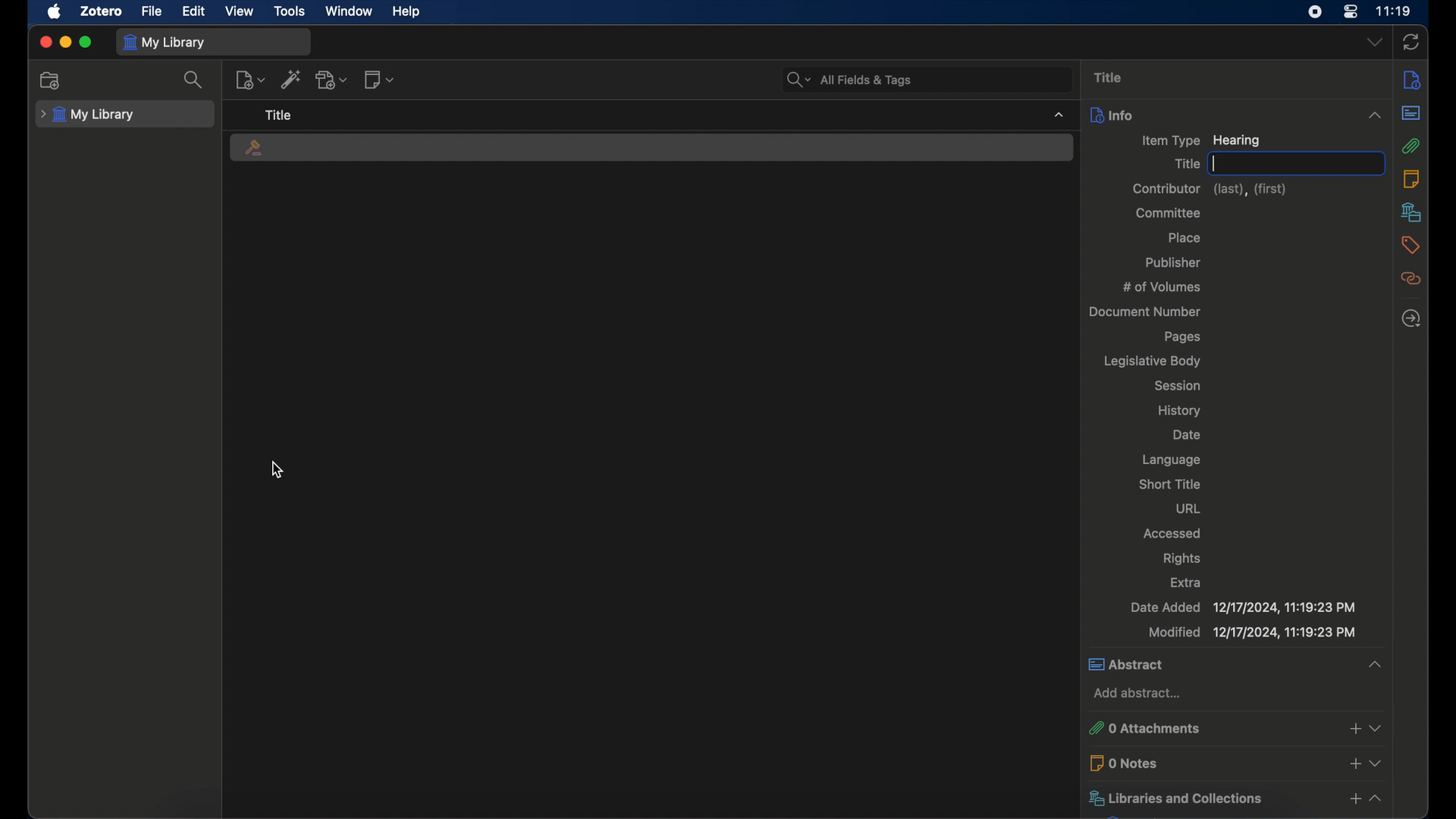  What do you see at coordinates (1411, 318) in the screenshot?
I see `locate` at bounding box center [1411, 318].